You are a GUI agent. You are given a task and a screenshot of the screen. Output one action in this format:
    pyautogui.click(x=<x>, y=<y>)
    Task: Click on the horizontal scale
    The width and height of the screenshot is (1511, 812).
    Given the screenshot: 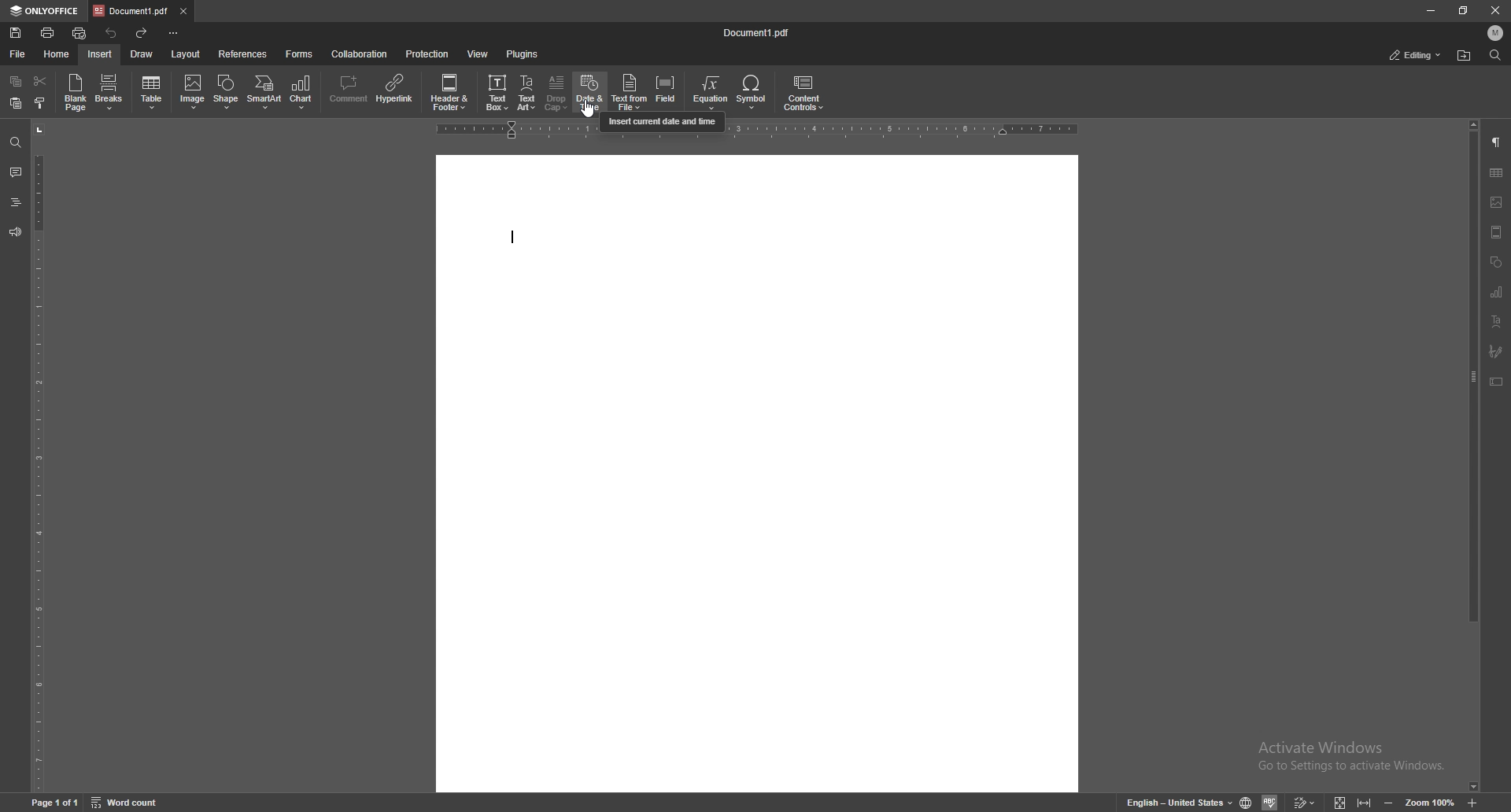 What is the action you would take?
    pyautogui.click(x=758, y=134)
    